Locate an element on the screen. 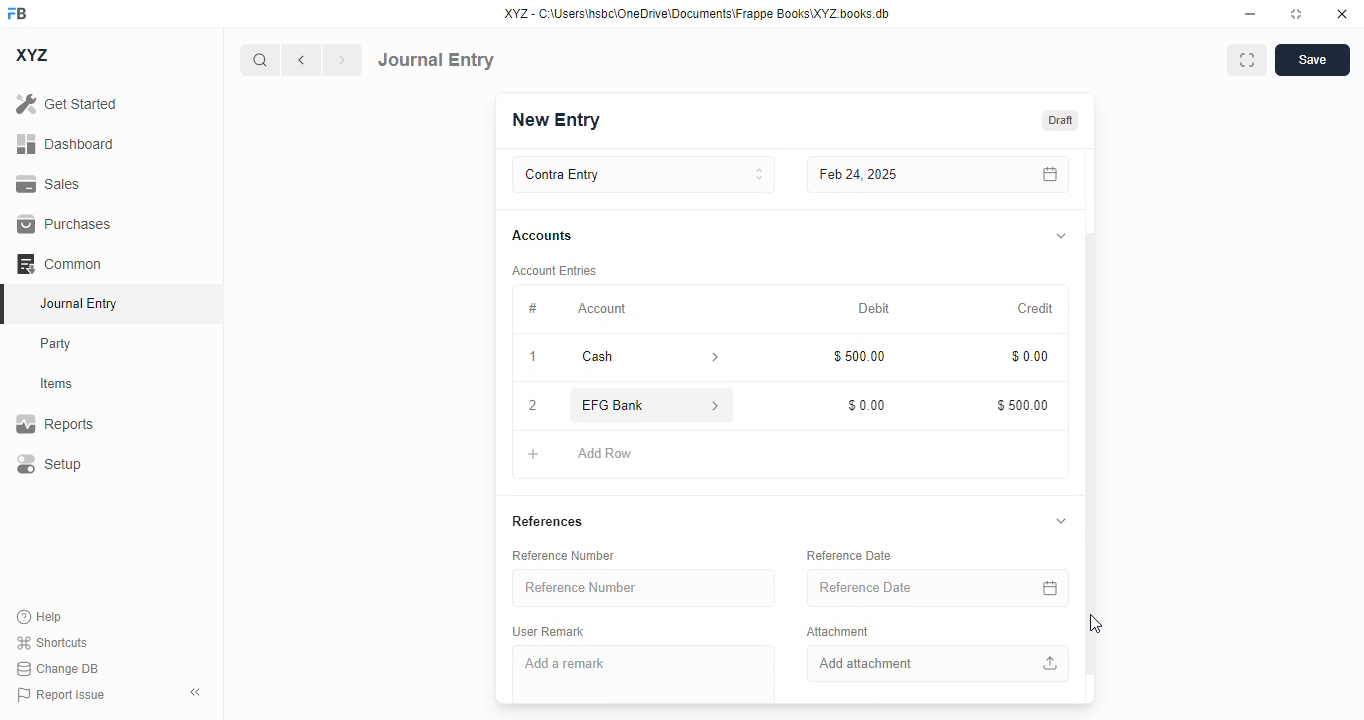 This screenshot has width=1364, height=720. toggle sidebar is located at coordinates (197, 692).